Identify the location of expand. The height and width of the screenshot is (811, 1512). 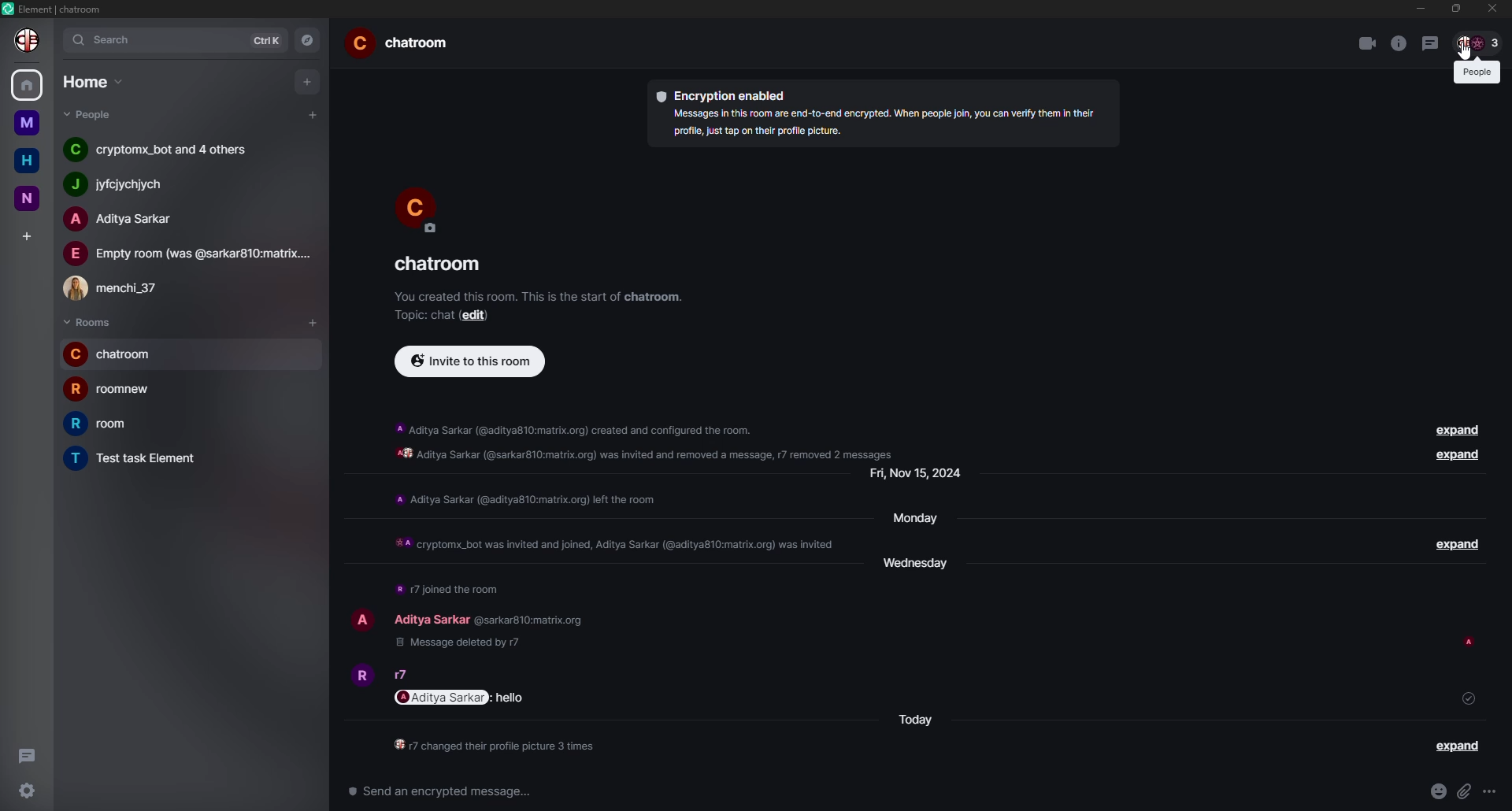
(1461, 747).